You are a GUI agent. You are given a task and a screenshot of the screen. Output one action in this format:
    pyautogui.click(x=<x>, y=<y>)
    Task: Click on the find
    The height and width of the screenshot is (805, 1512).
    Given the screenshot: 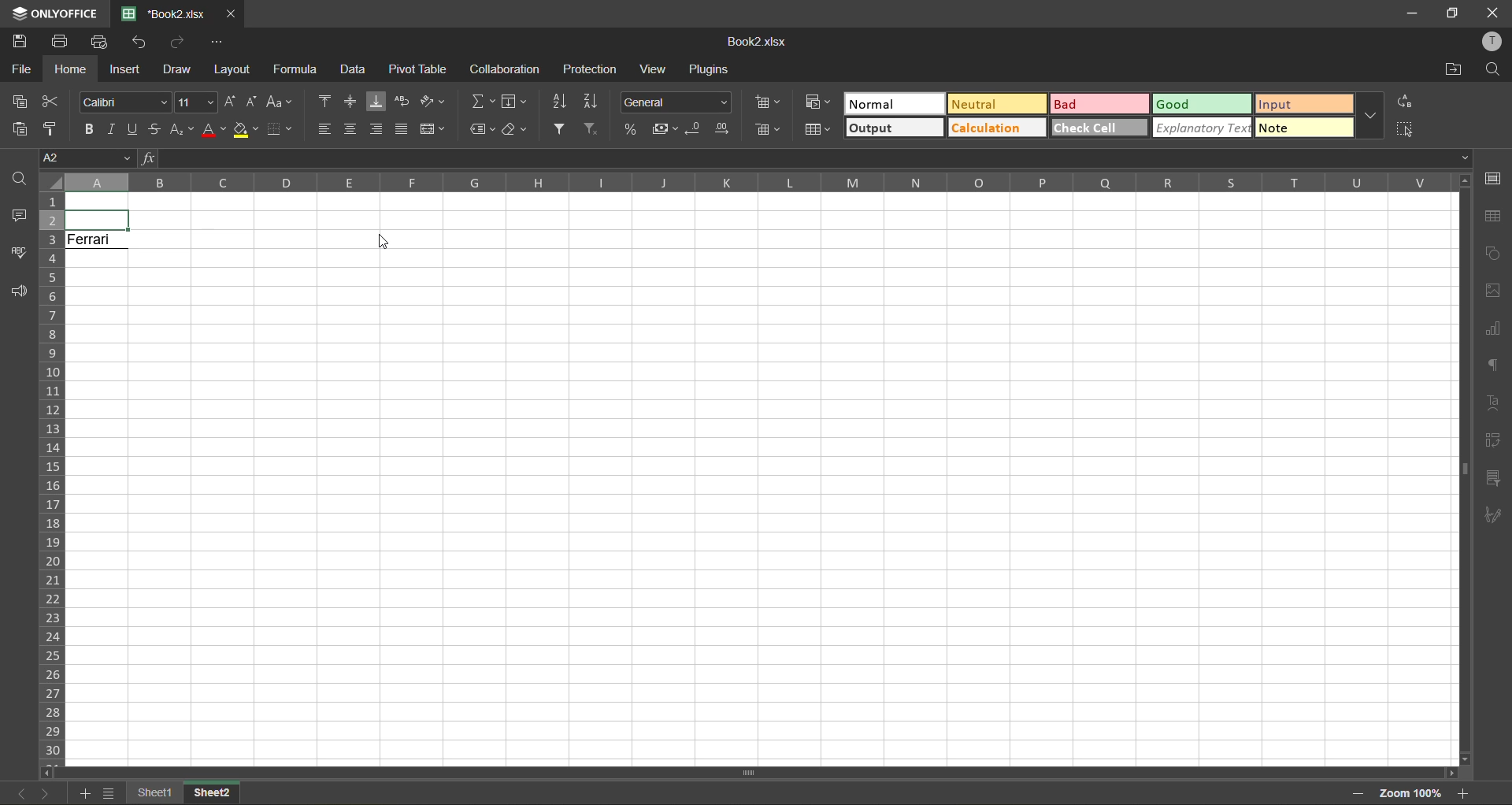 What is the action you would take?
    pyautogui.click(x=1495, y=71)
    